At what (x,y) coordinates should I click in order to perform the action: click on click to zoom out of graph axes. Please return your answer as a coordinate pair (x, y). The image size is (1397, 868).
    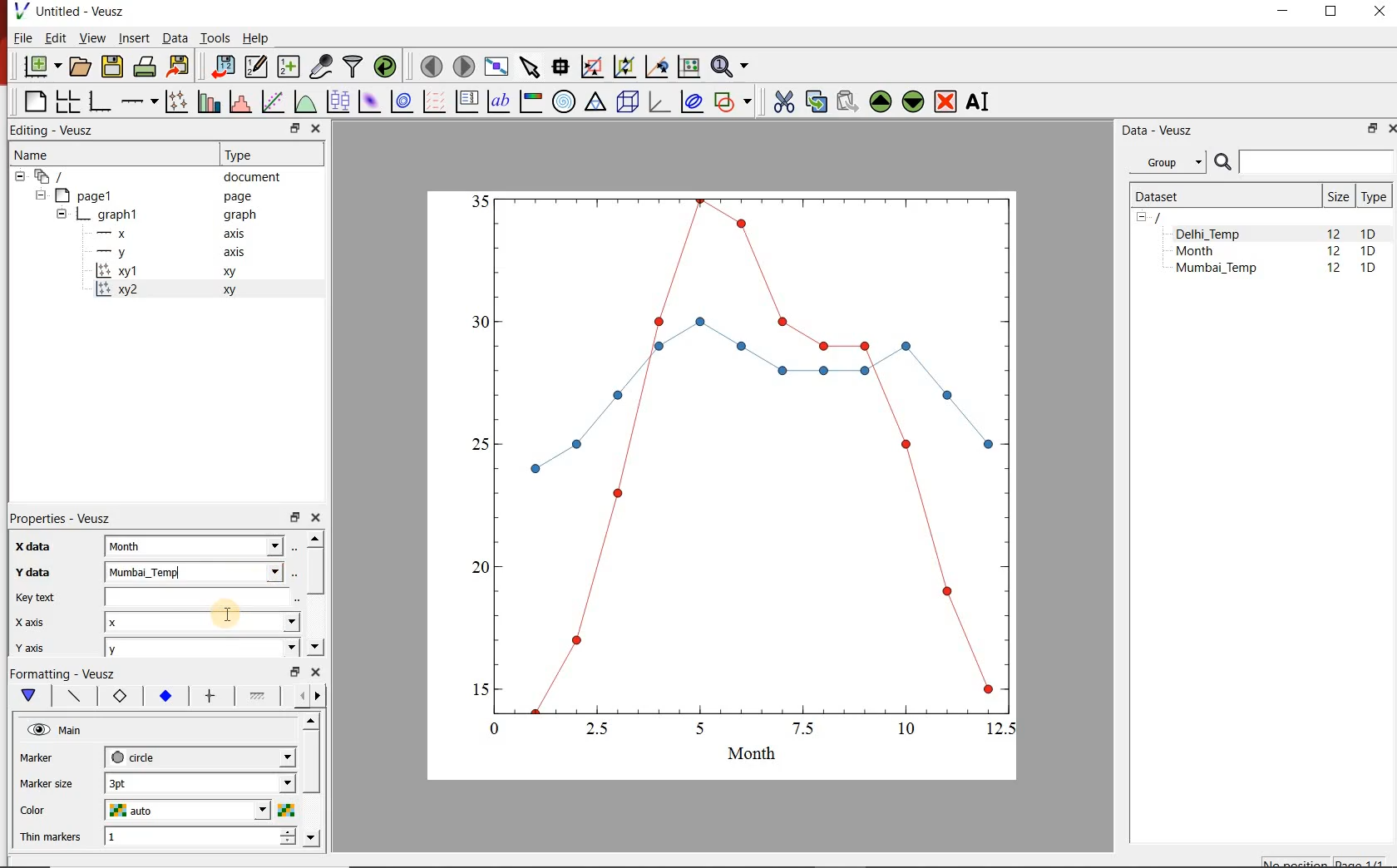
    Looking at the image, I should click on (624, 67).